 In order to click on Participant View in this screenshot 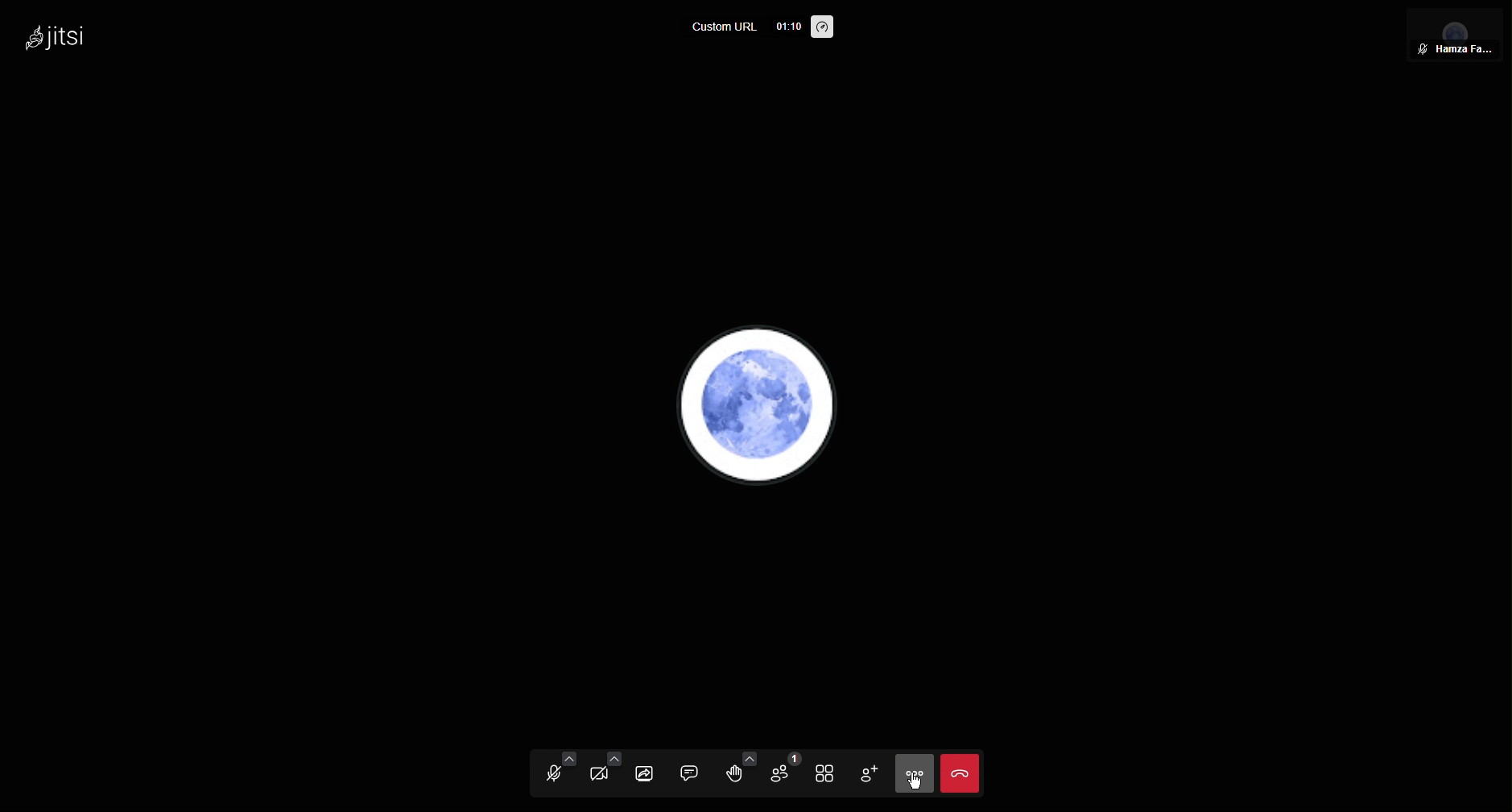, I will do `click(1456, 34)`.